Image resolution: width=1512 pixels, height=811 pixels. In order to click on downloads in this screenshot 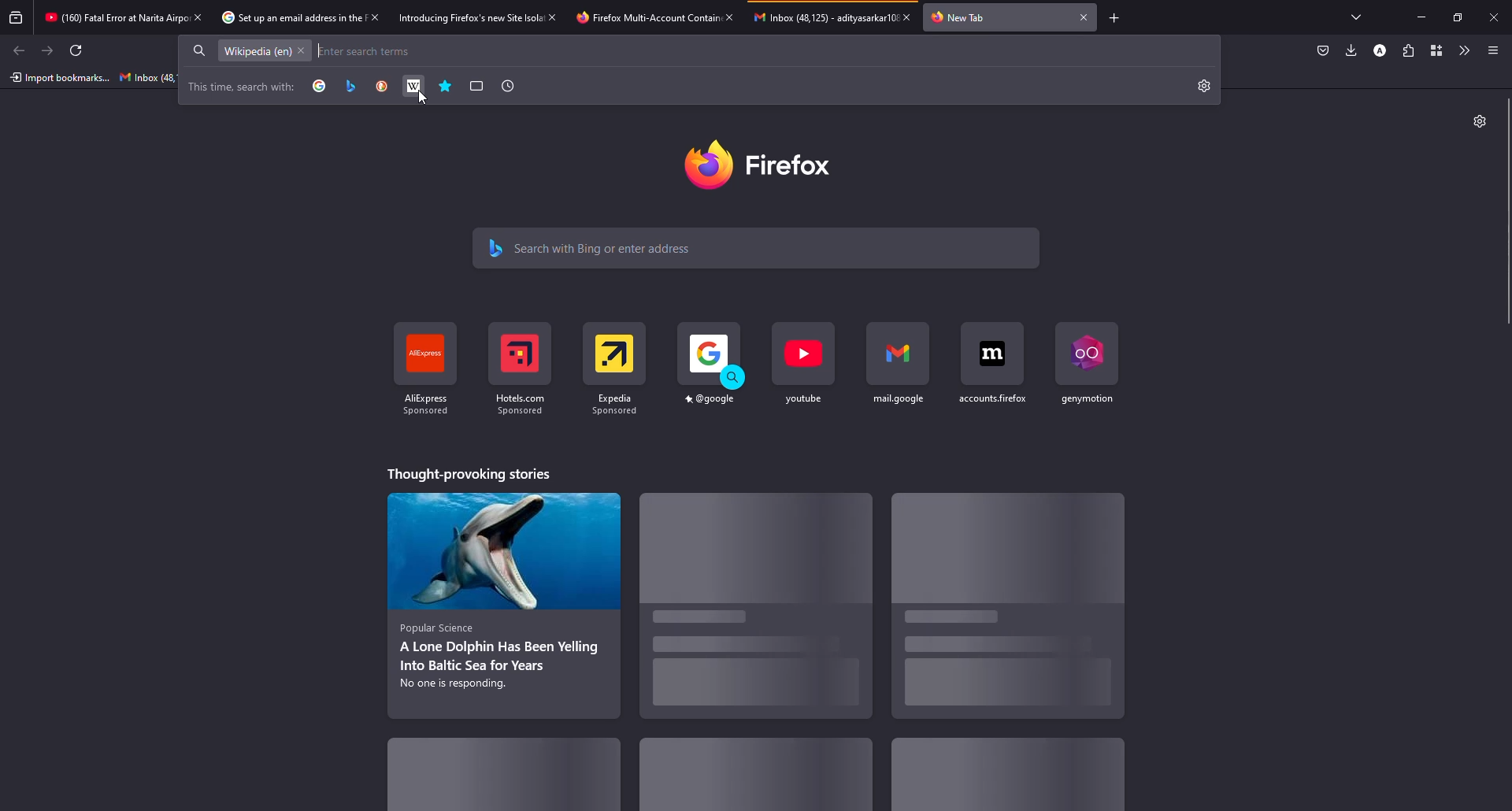, I will do `click(1351, 50)`.